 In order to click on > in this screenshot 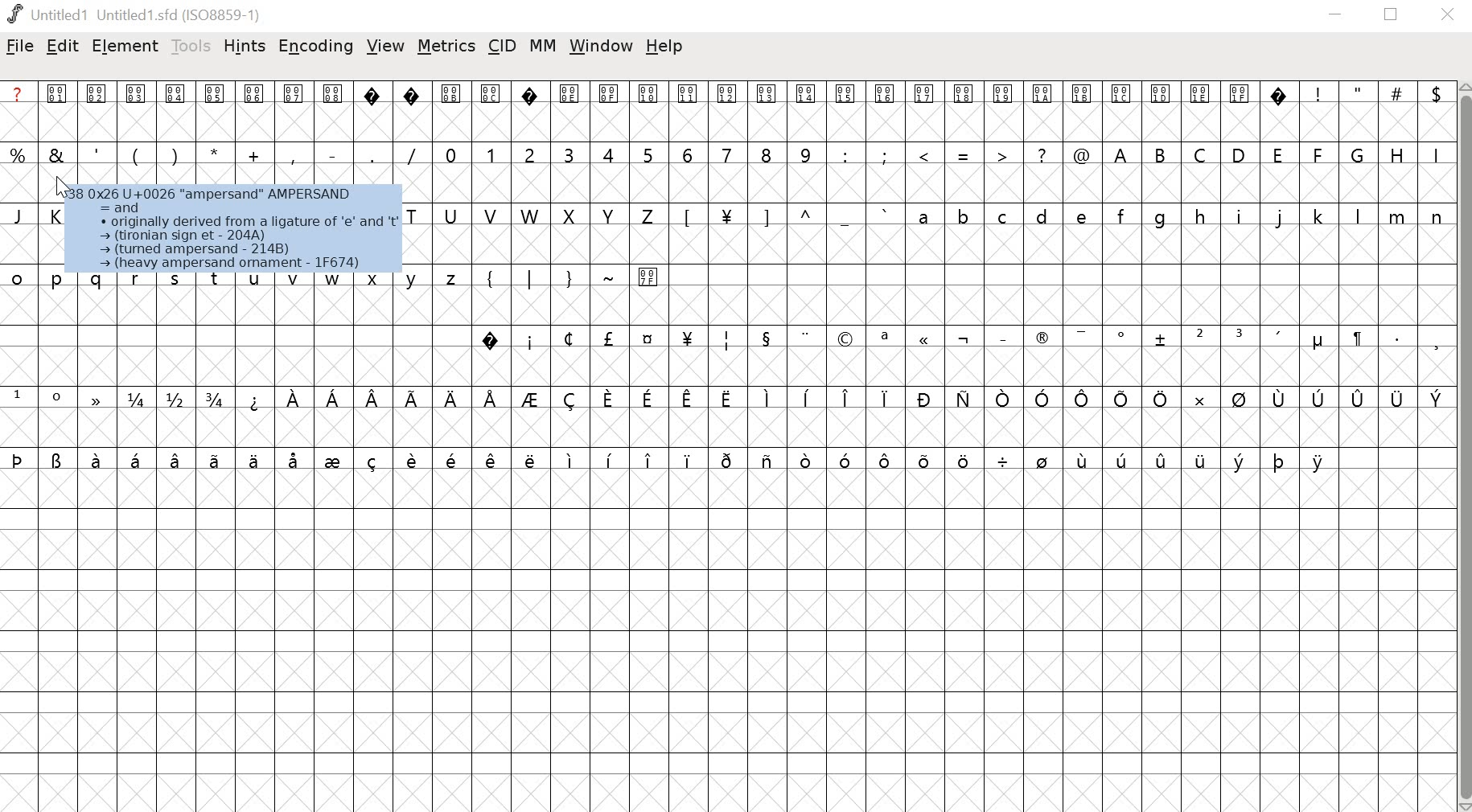, I will do `click(1003, 153)`.